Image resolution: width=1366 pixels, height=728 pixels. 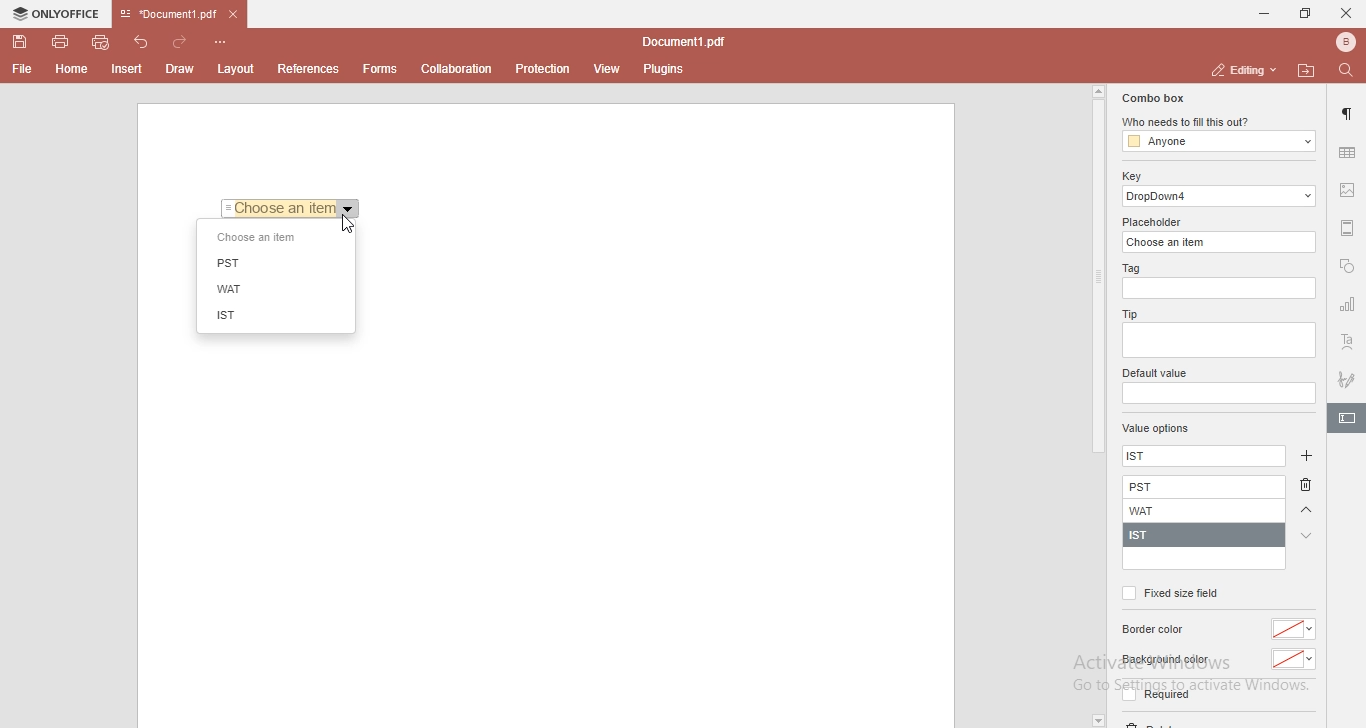 What do you see at coordinates (1217, 342) in the screenshot?
I see `empty box` at bounding box center [1217, 342].